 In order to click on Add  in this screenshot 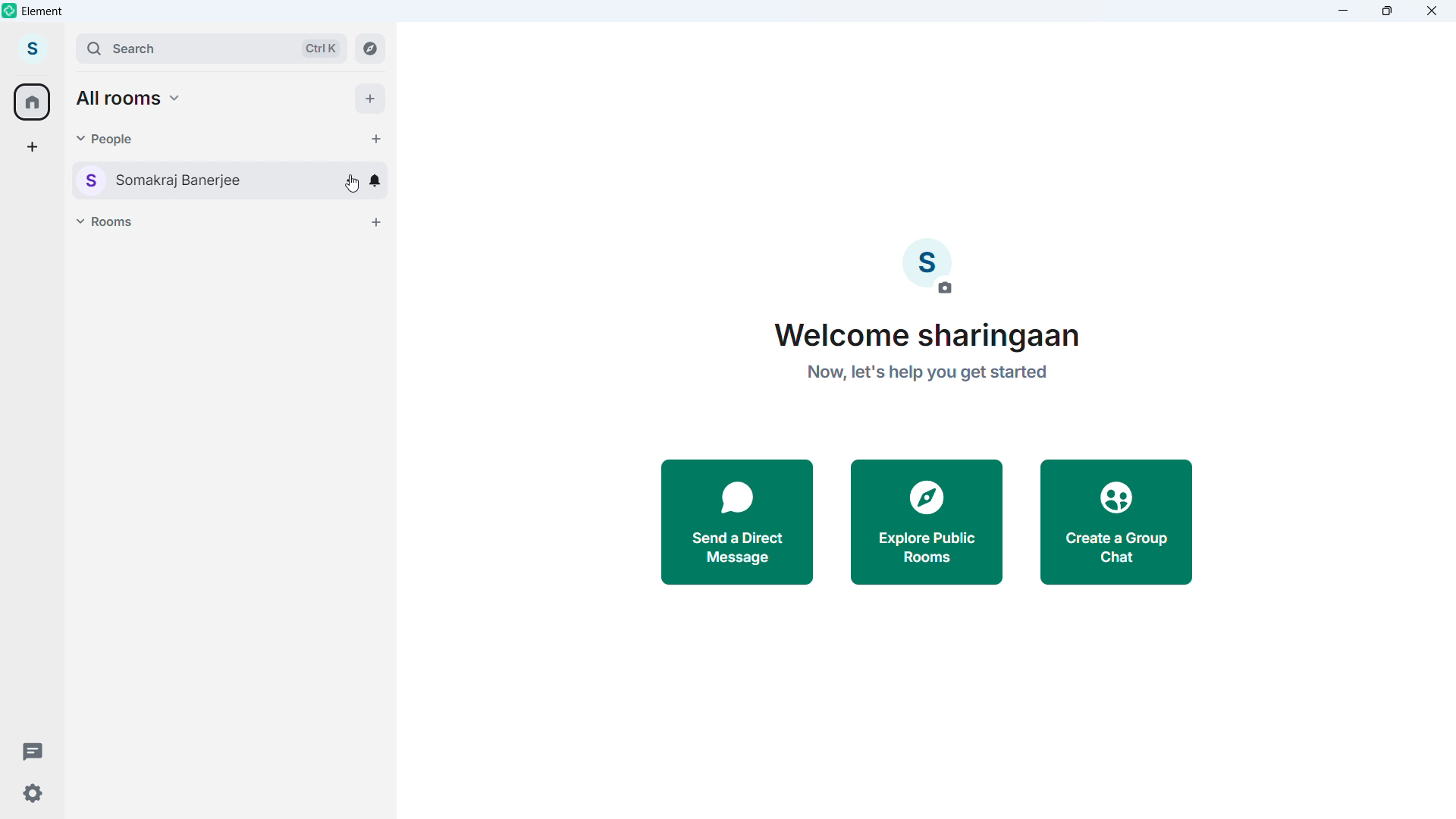, I will do `click(369, 98)`.